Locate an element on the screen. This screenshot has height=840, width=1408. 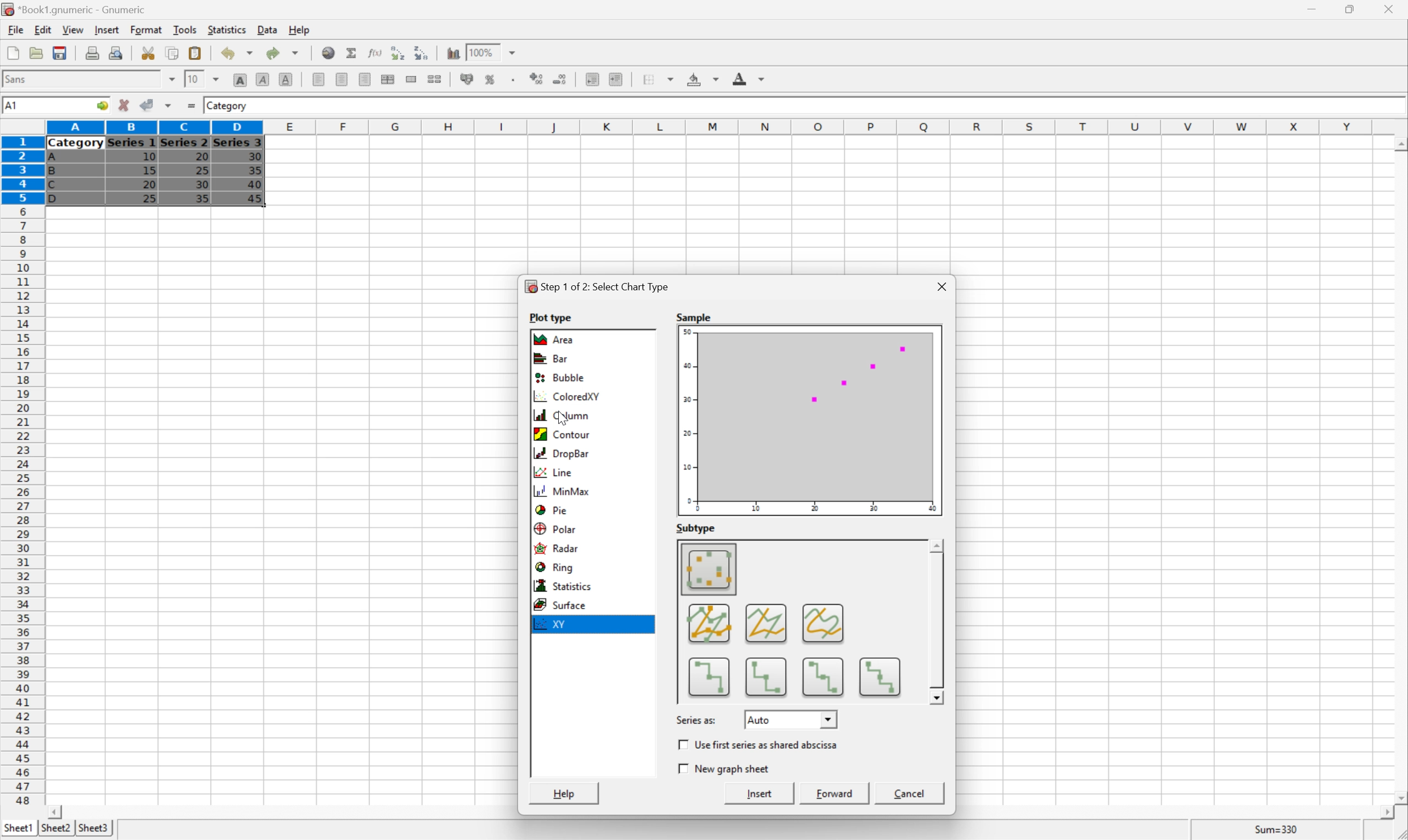
20 is located at coordinates (149, 185).